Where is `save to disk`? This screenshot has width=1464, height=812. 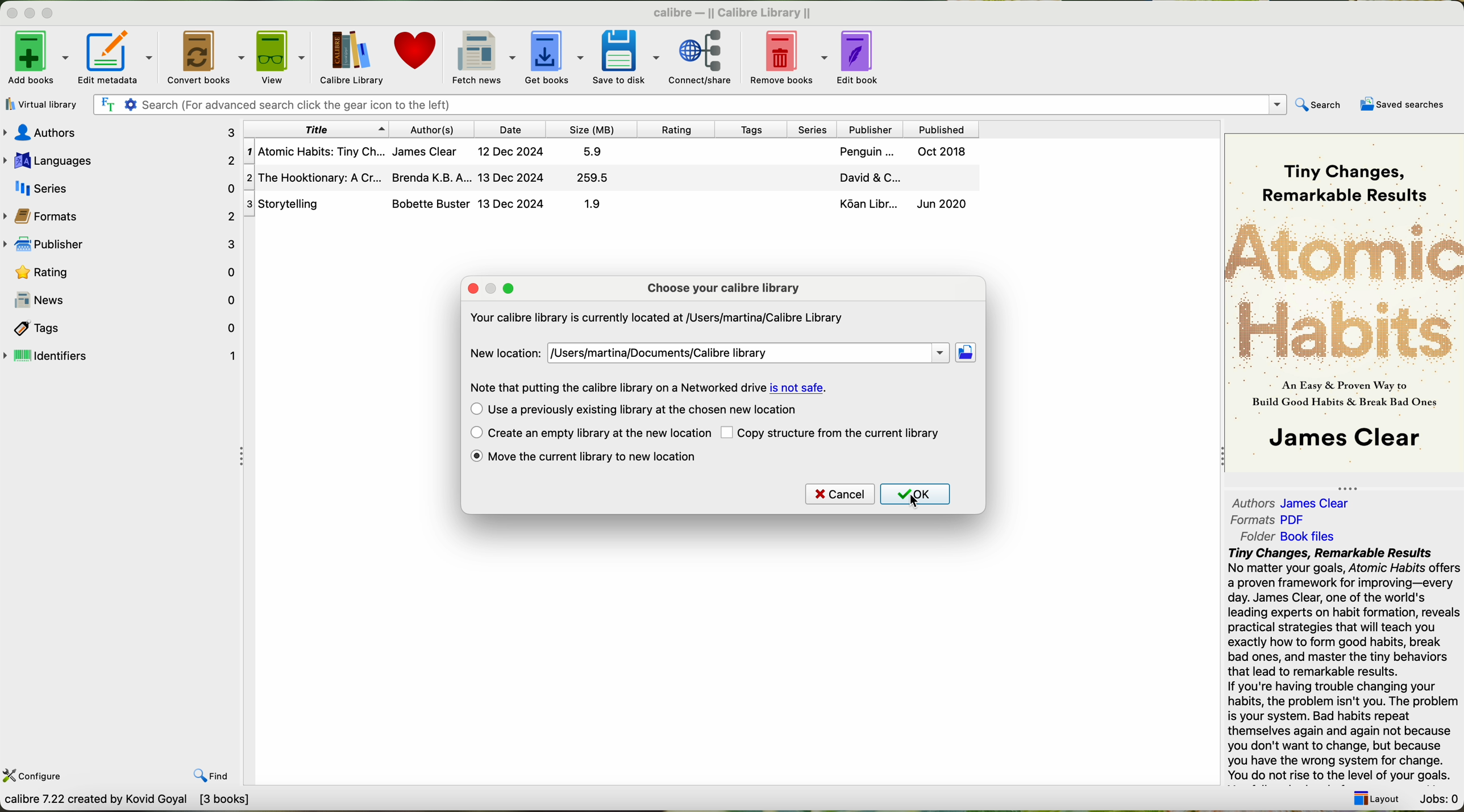
save to disk is located at coordinates (626, 56).